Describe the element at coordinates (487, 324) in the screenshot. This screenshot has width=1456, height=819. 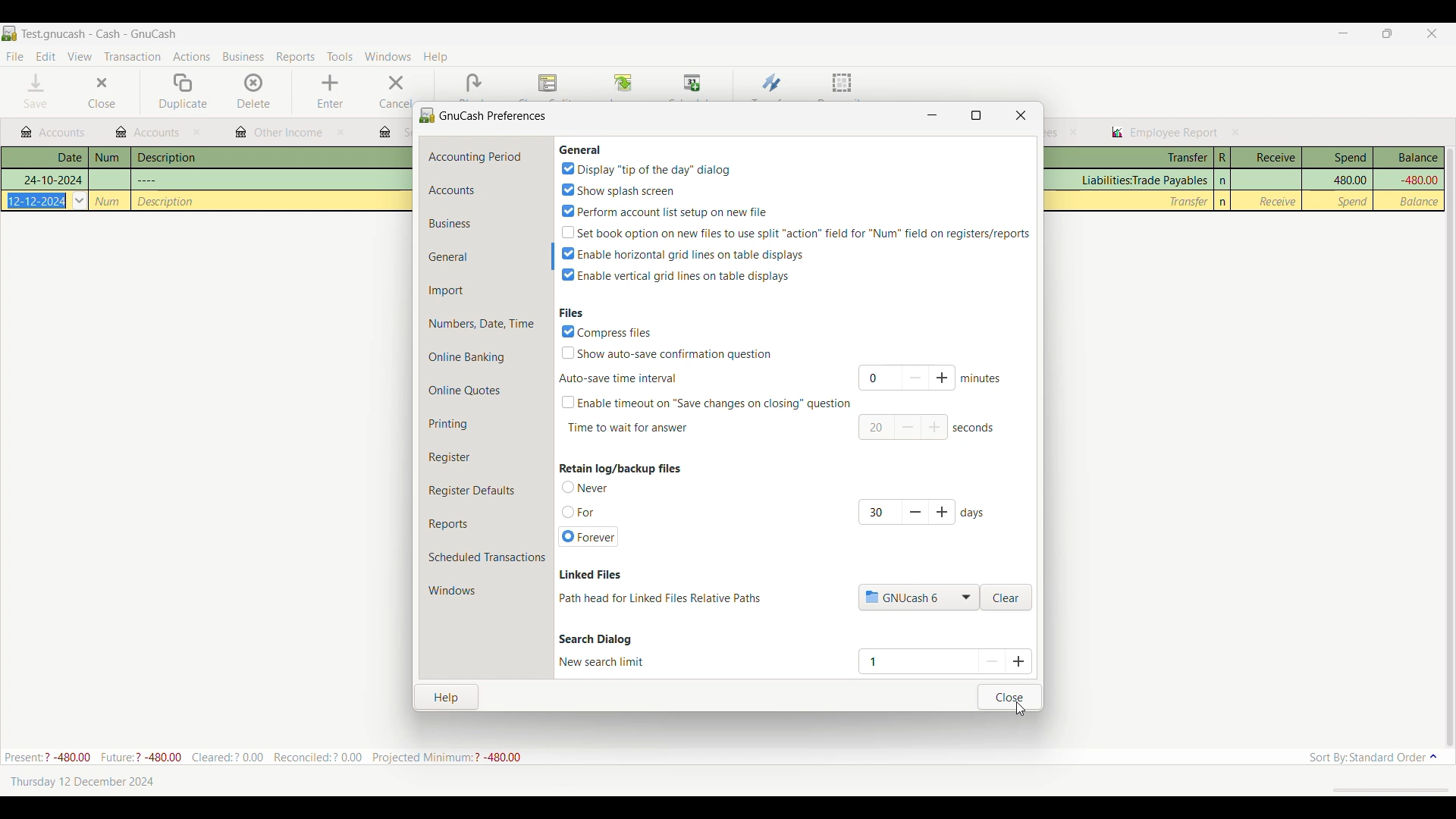
I see `Numbers, Date, Time` at that location.